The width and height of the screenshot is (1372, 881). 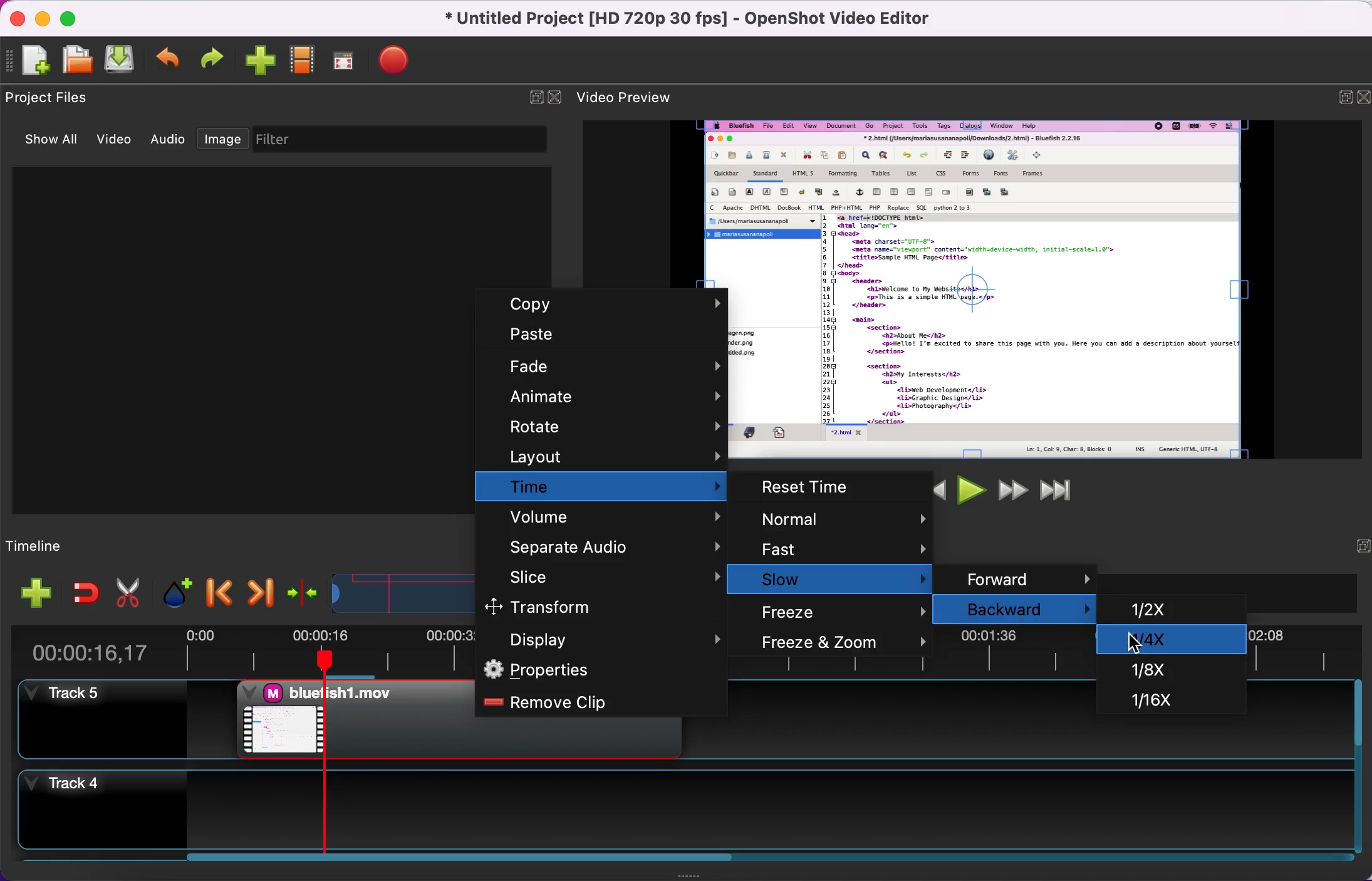 What do you see at coordinates (597, 702) in the screenshot?
I see `remove clip` at bounding box center [597, 702].